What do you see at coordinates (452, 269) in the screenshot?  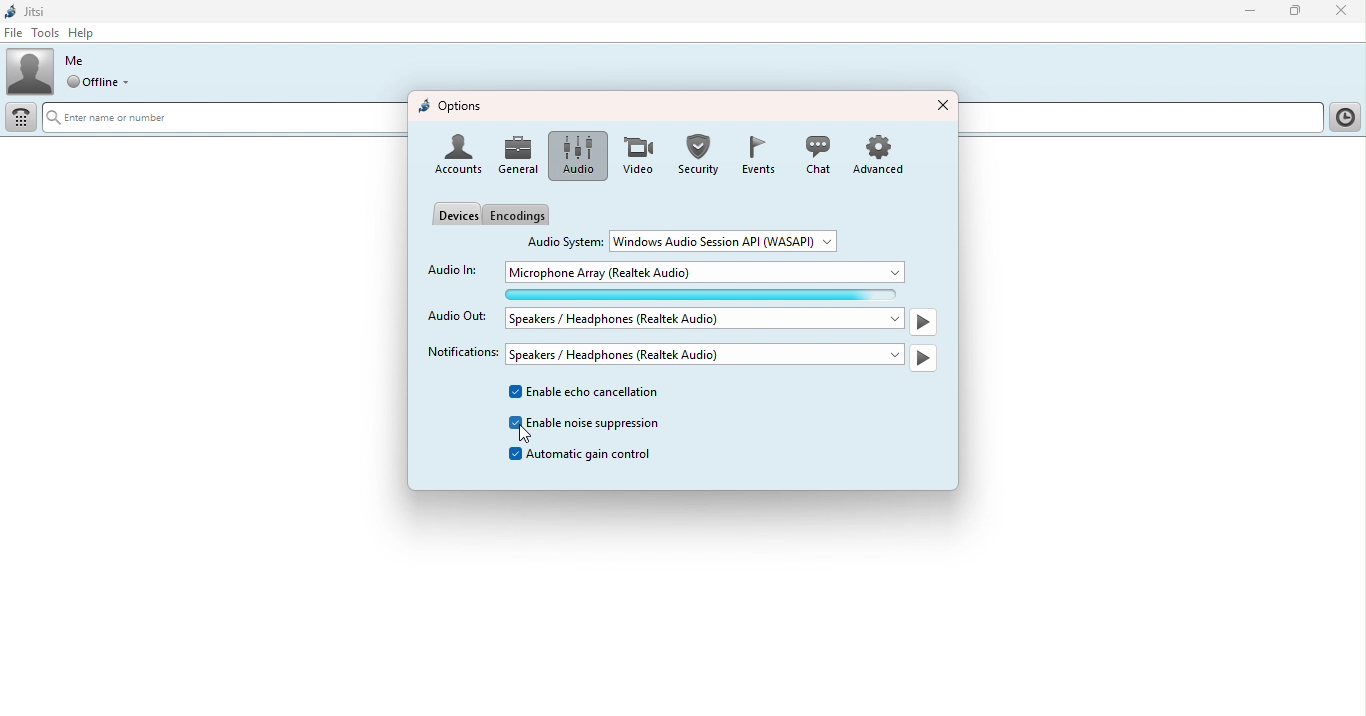 I see `Audio in` at bounding box center [452, 269].